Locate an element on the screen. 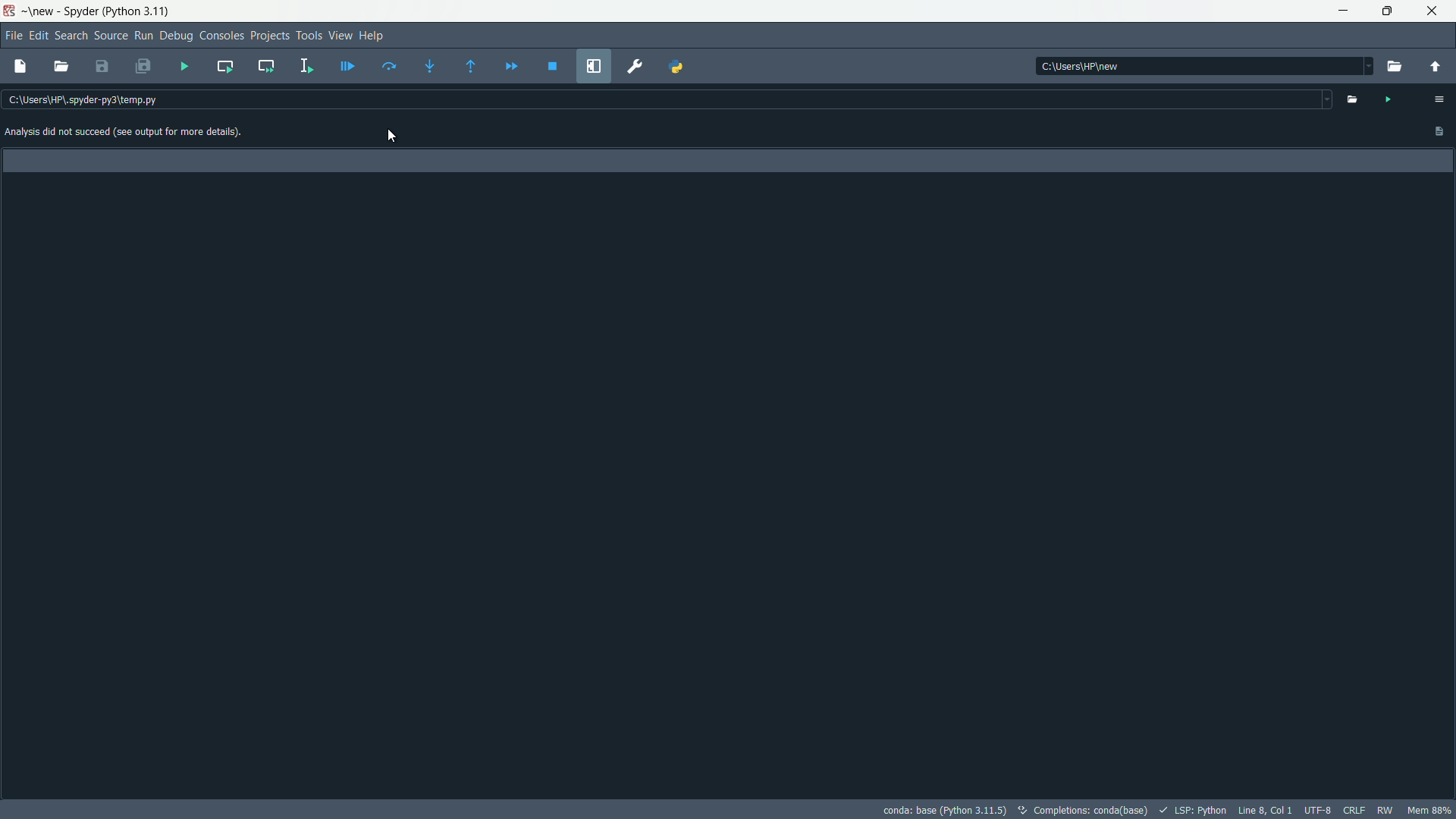 Image resolution: width=1456 pixels, height=819 pixels. cursor is located at coordinates (397, 134).